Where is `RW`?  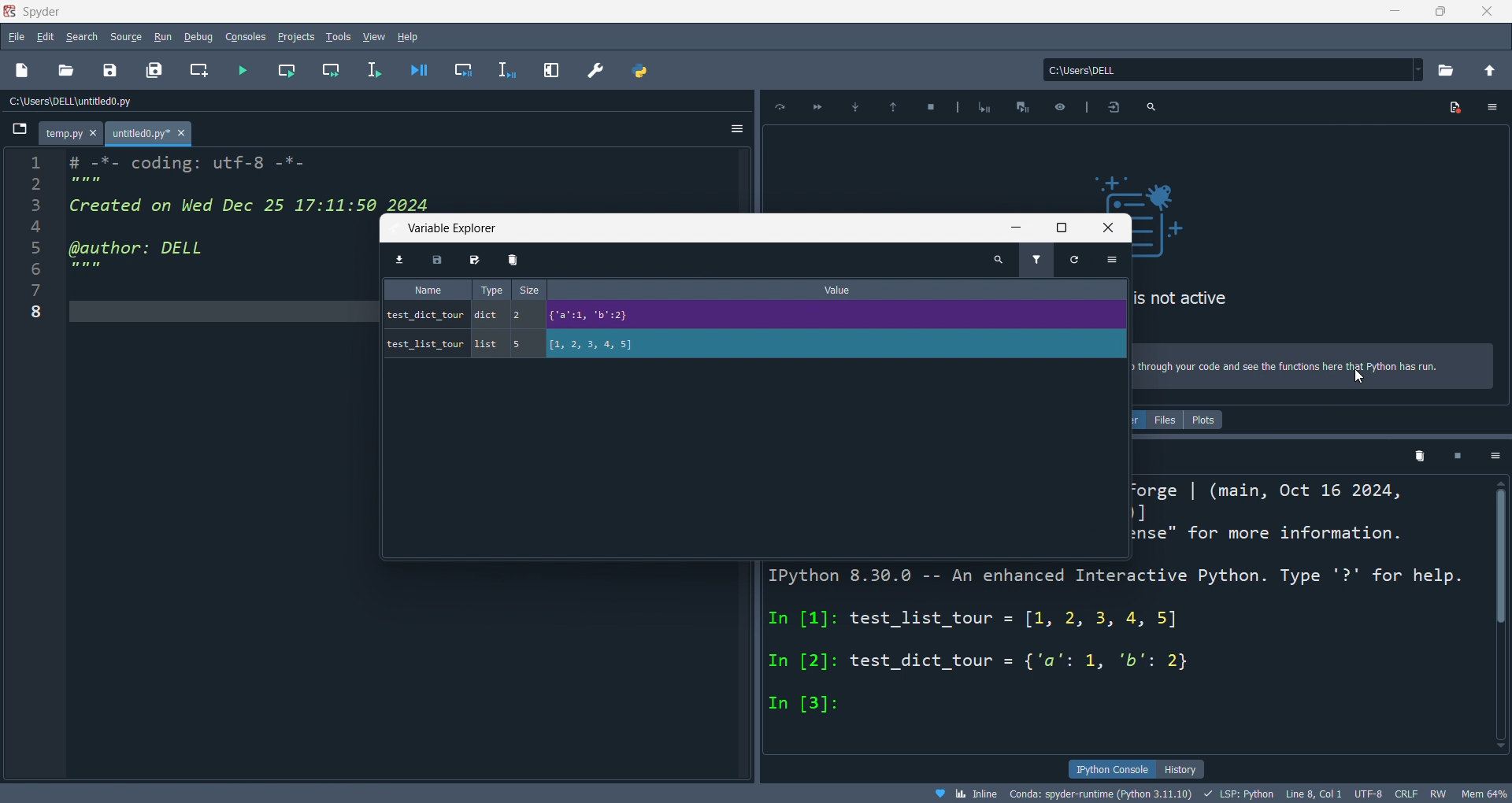
RW is located at coordinates (1443, 792).